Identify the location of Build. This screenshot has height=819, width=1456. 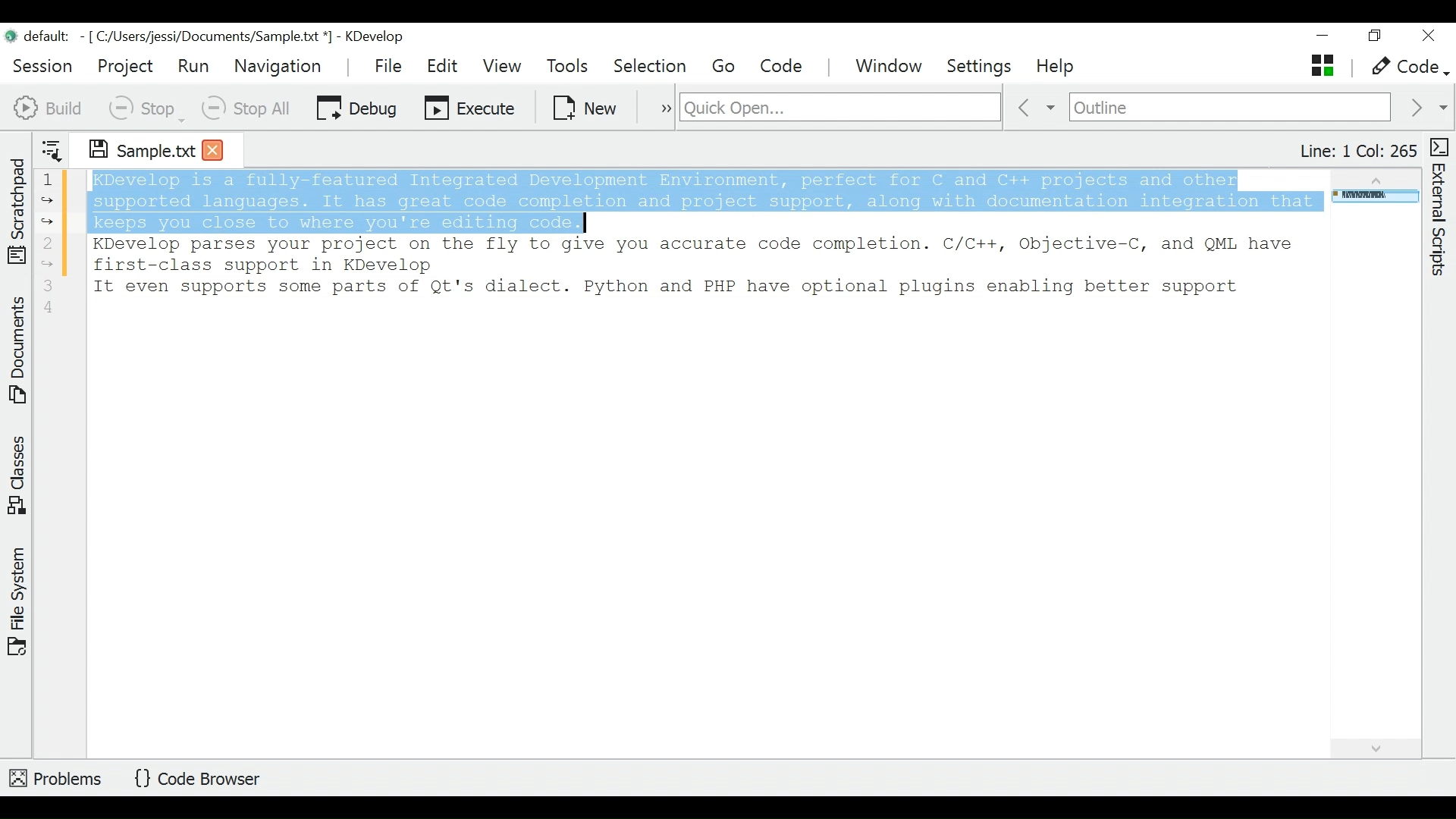
(49, 106).